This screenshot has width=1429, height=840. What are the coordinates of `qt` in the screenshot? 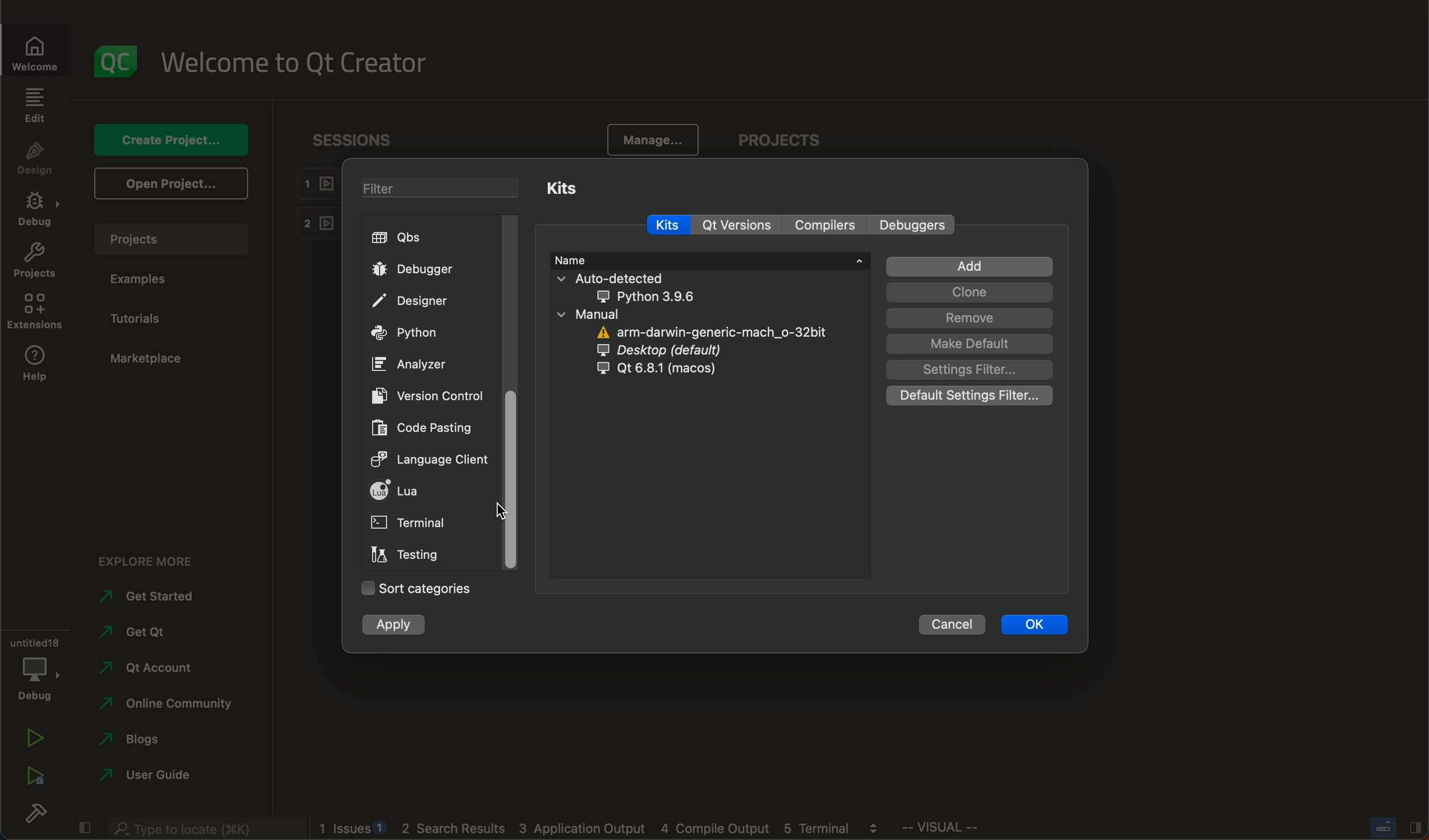 It's located at (667, 370).